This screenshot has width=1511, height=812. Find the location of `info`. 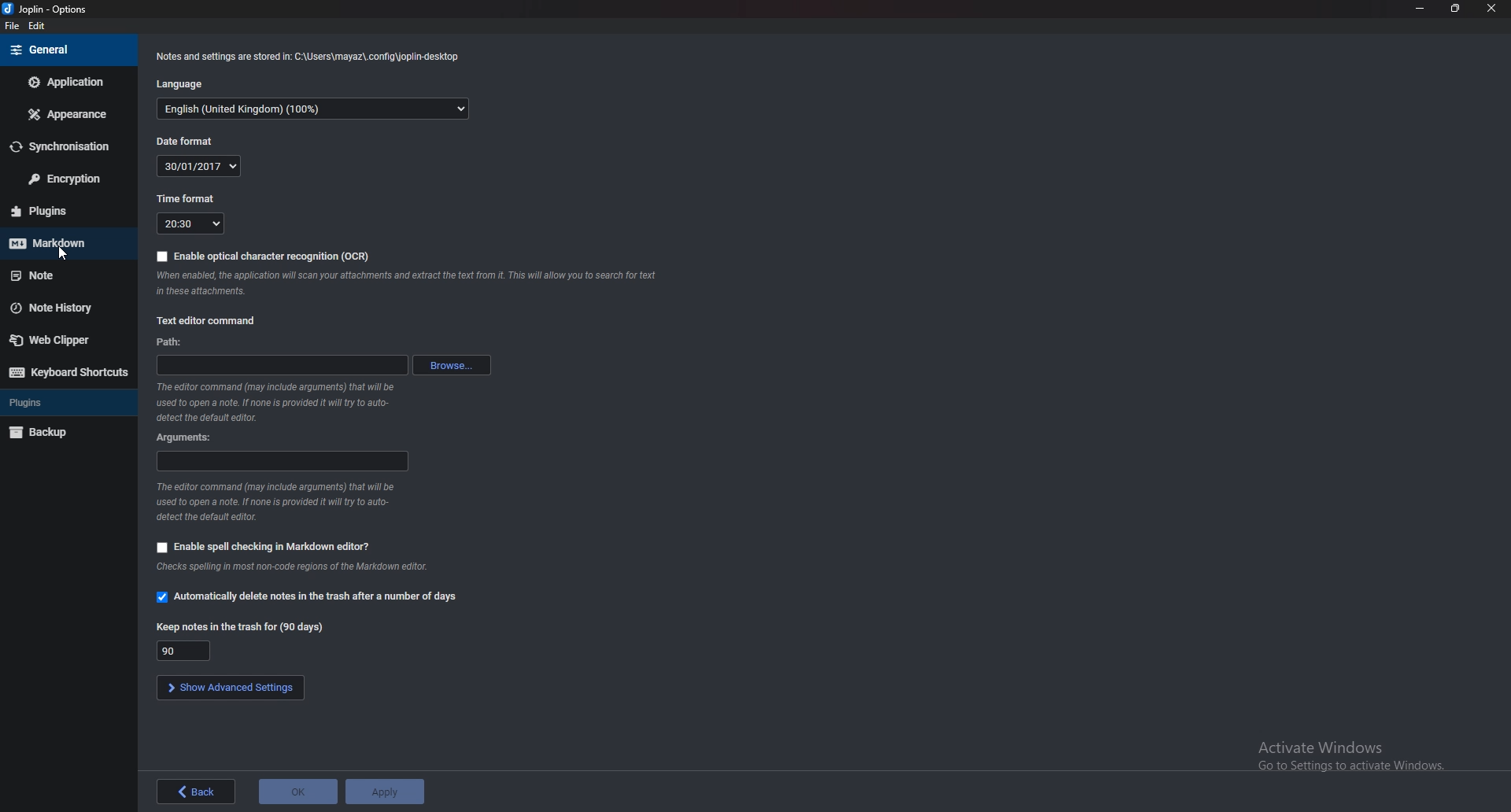

info is located at coordinates (412, 284).